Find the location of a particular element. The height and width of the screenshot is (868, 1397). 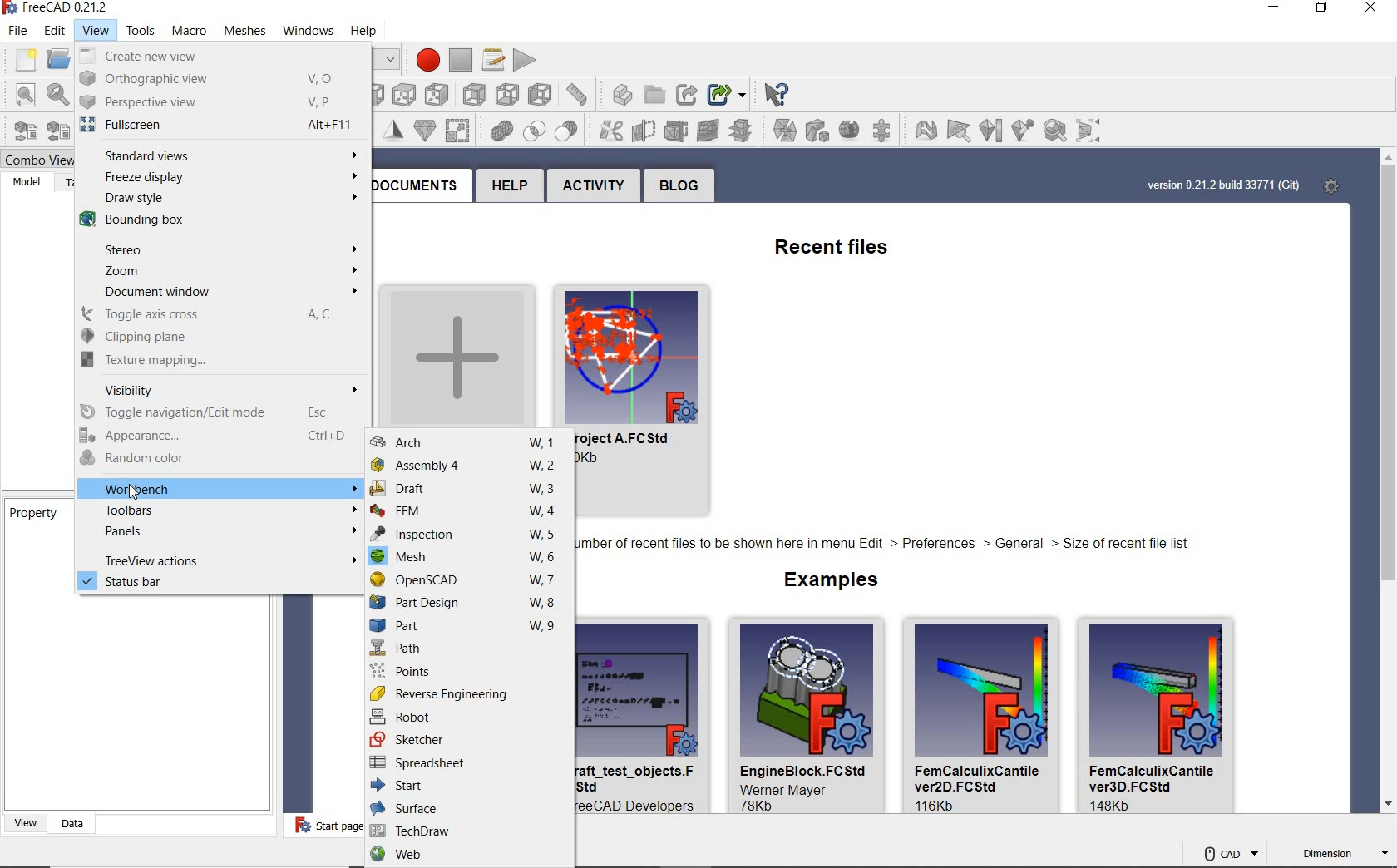

panels is located at coordinates (223, 533).